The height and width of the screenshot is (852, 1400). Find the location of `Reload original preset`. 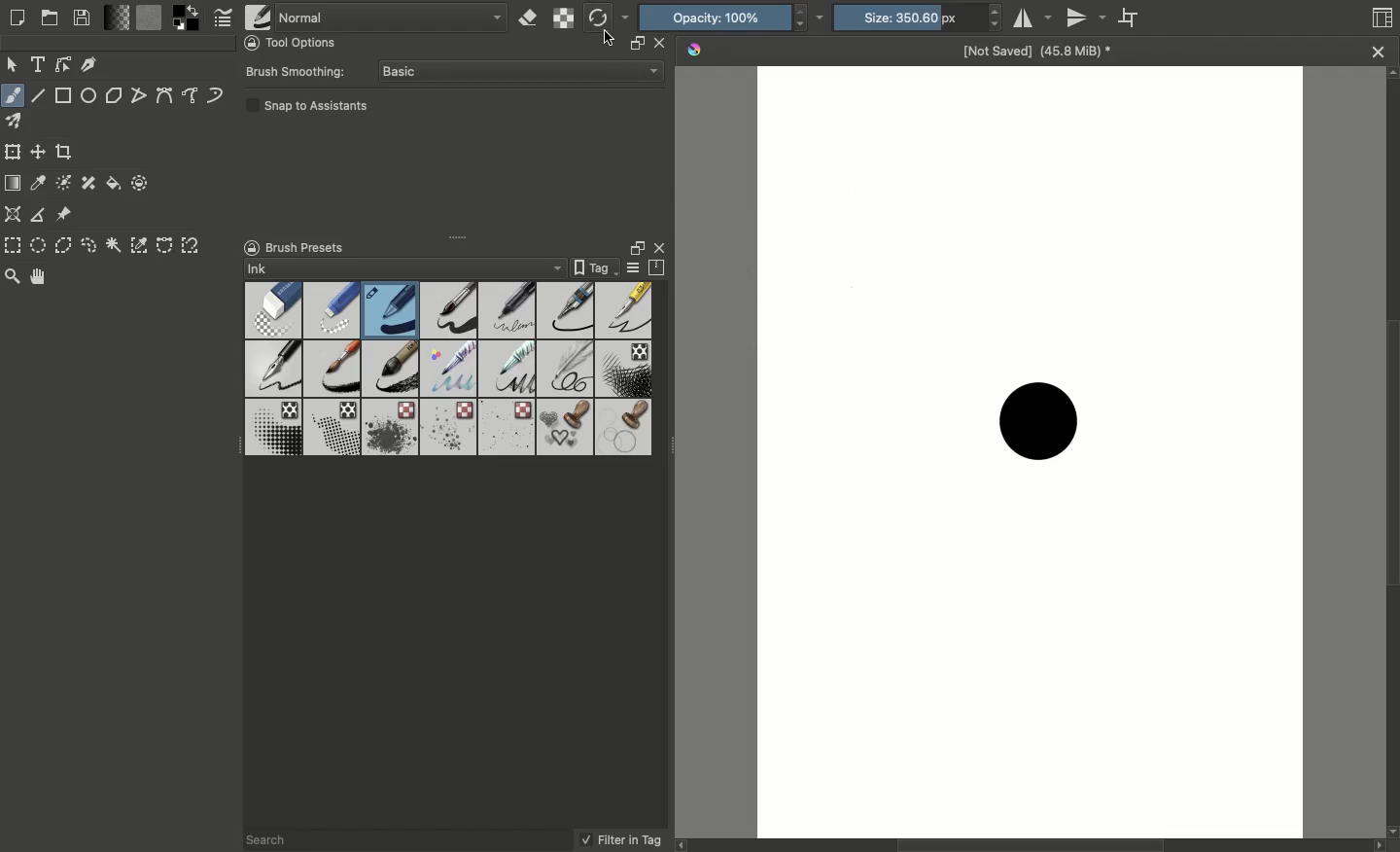

Reload original preset is located at coordinates (608, 19).